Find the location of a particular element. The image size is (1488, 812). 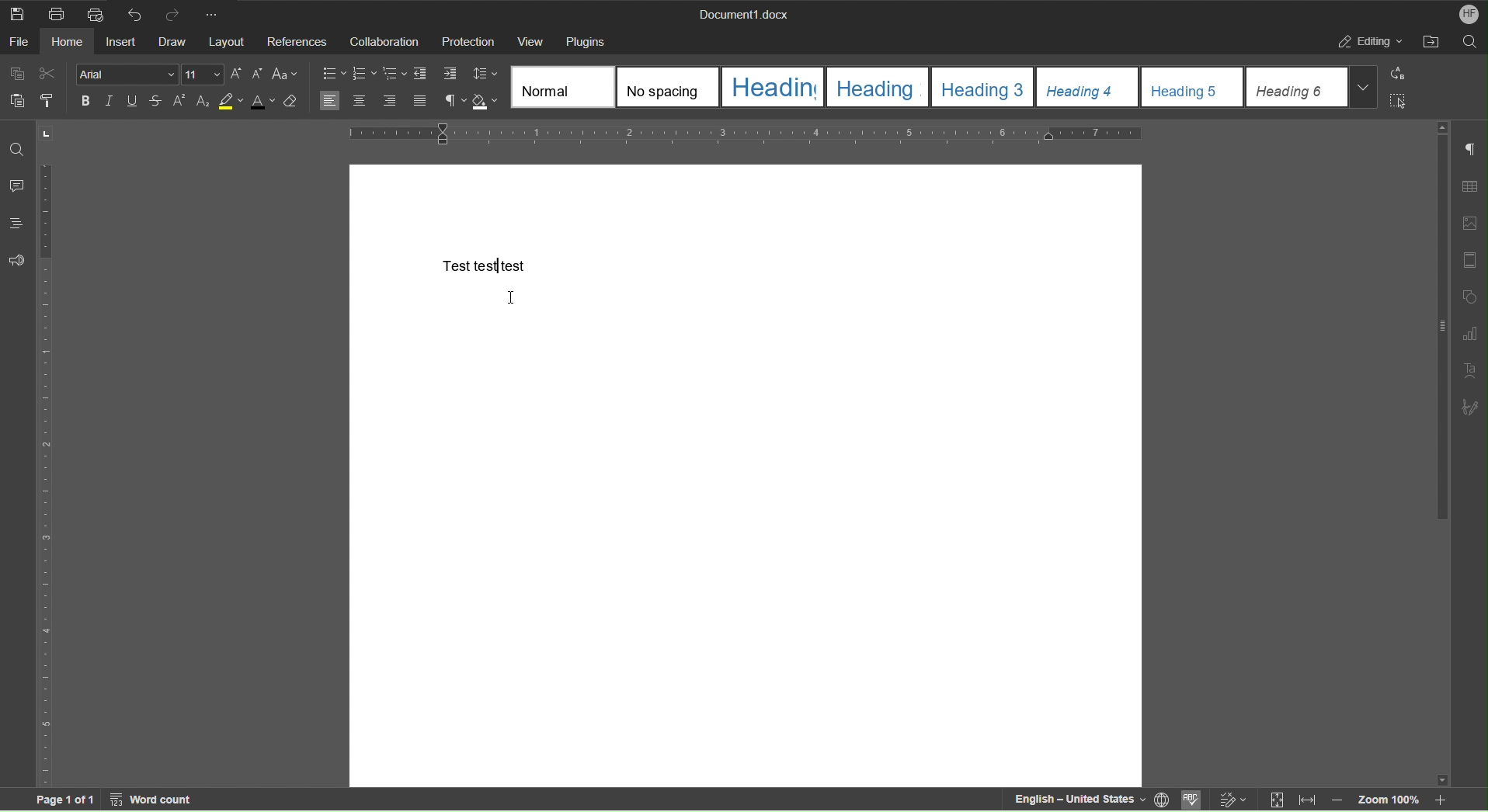

View is located at coordinates (533, 41).